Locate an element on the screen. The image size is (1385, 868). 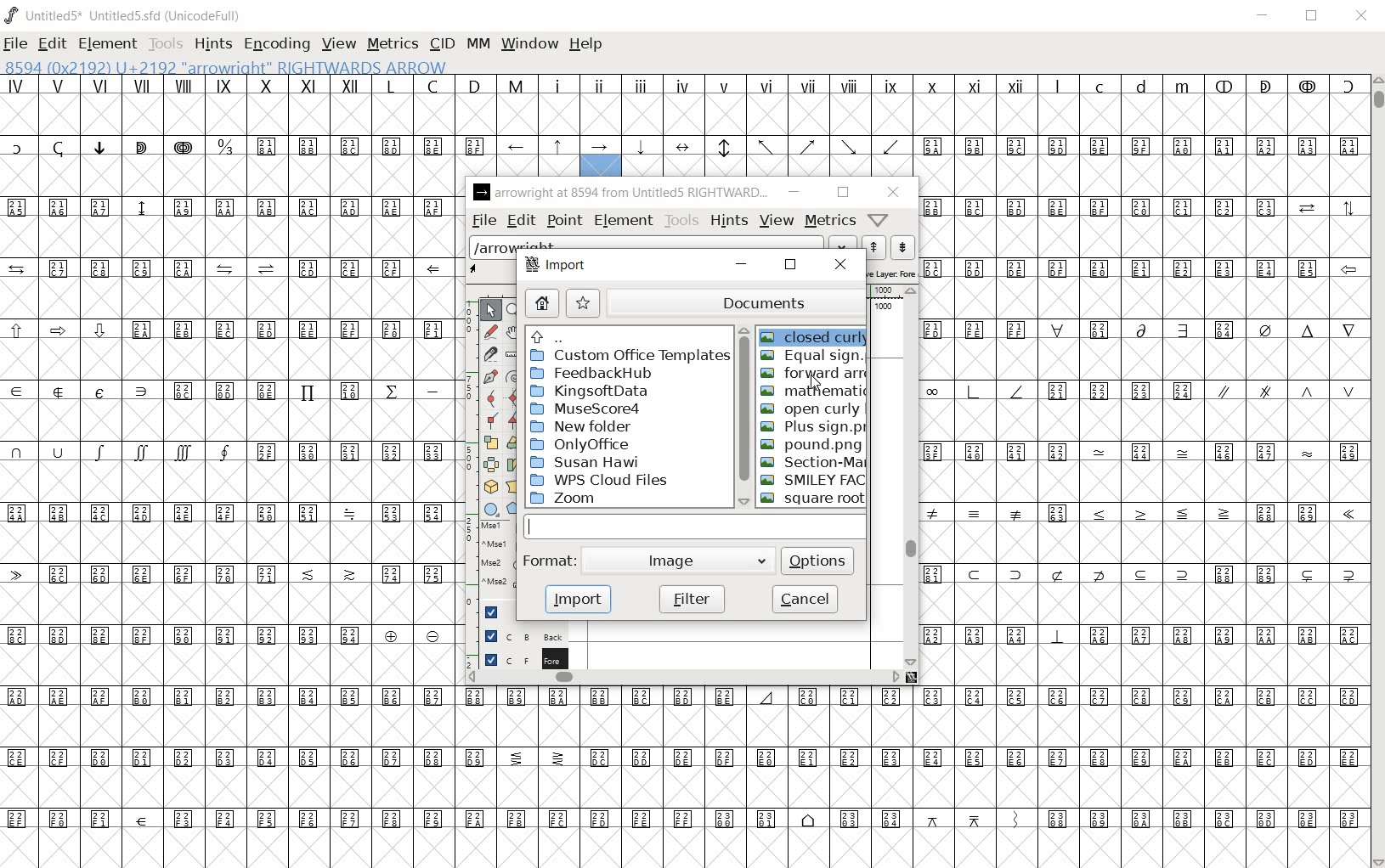
ruler is located at coordinates (885, 293).